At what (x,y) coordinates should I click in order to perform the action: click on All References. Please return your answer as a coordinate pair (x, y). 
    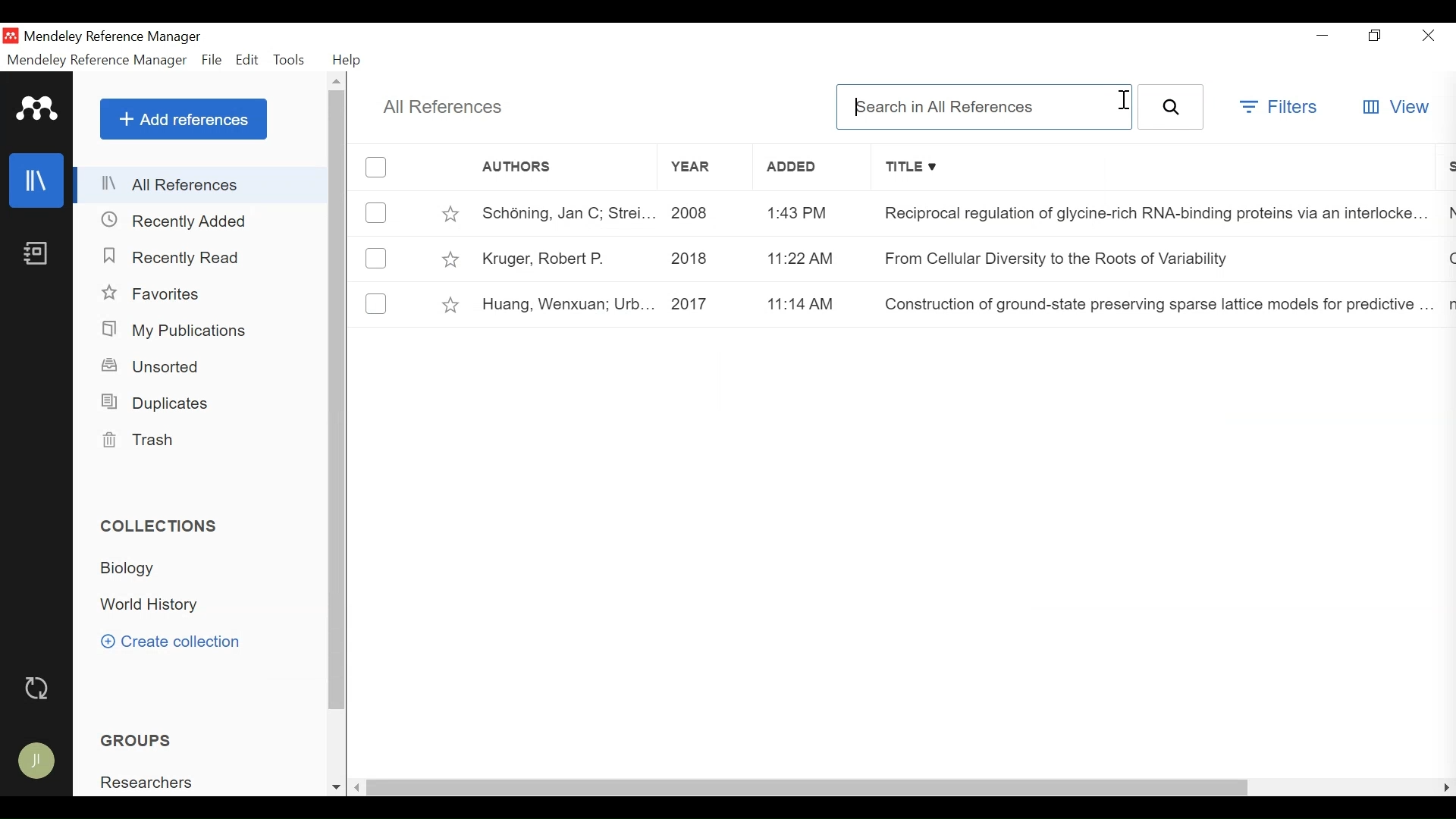
    Looking at the image, I should click on (444, 108).